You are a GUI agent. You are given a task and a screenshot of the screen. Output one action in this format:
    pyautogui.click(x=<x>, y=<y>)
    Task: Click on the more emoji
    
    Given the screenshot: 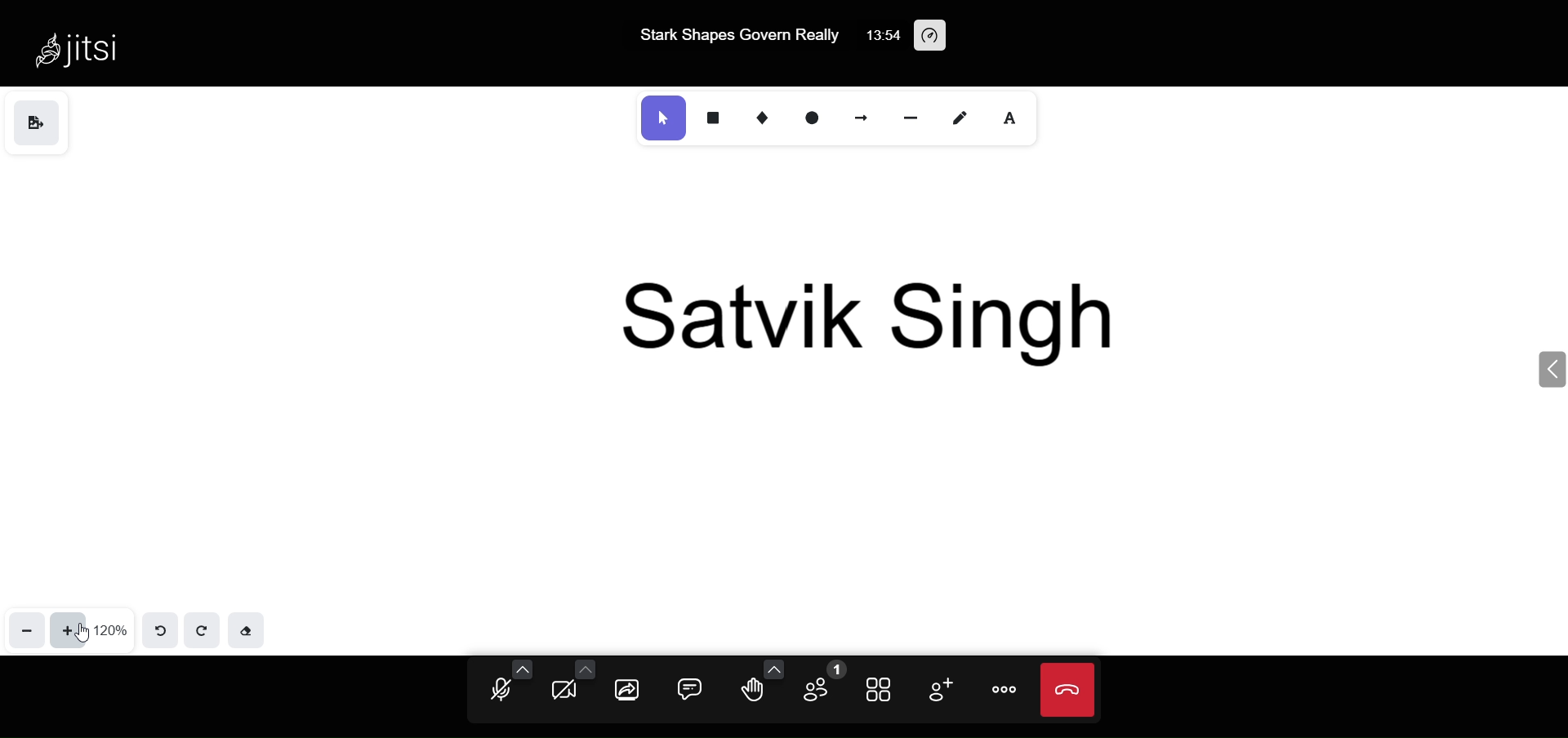 What is the action you would take?
    pyautogui.click(x=773, y=668)
    